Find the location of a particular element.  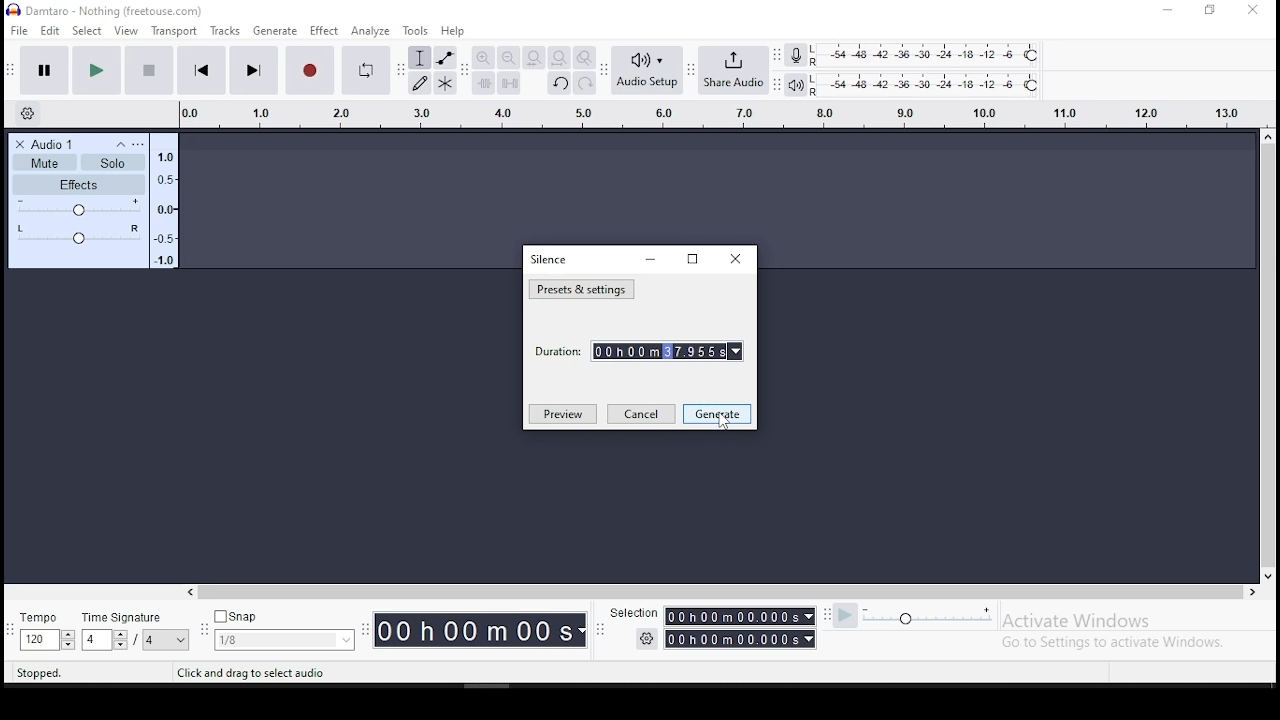

enable looping is located at coordinates (367, 70).